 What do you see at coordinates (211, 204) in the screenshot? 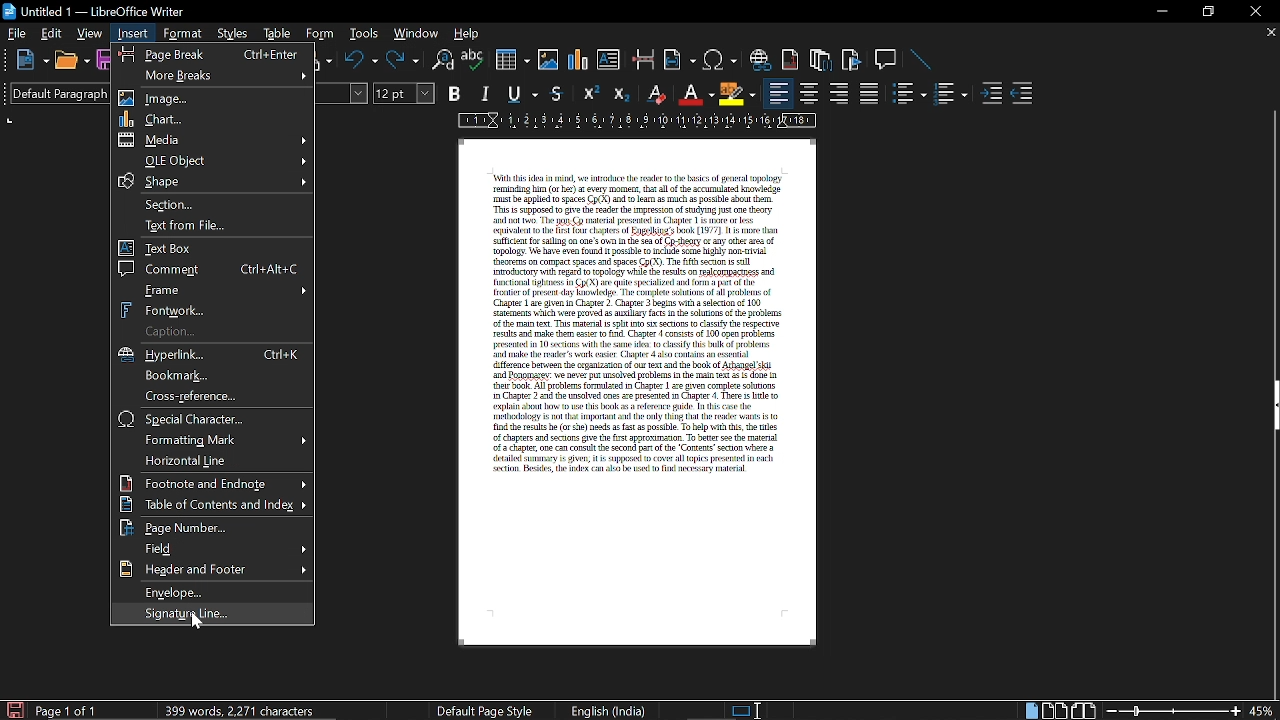
I see `section` at bounding box center [211, 204].